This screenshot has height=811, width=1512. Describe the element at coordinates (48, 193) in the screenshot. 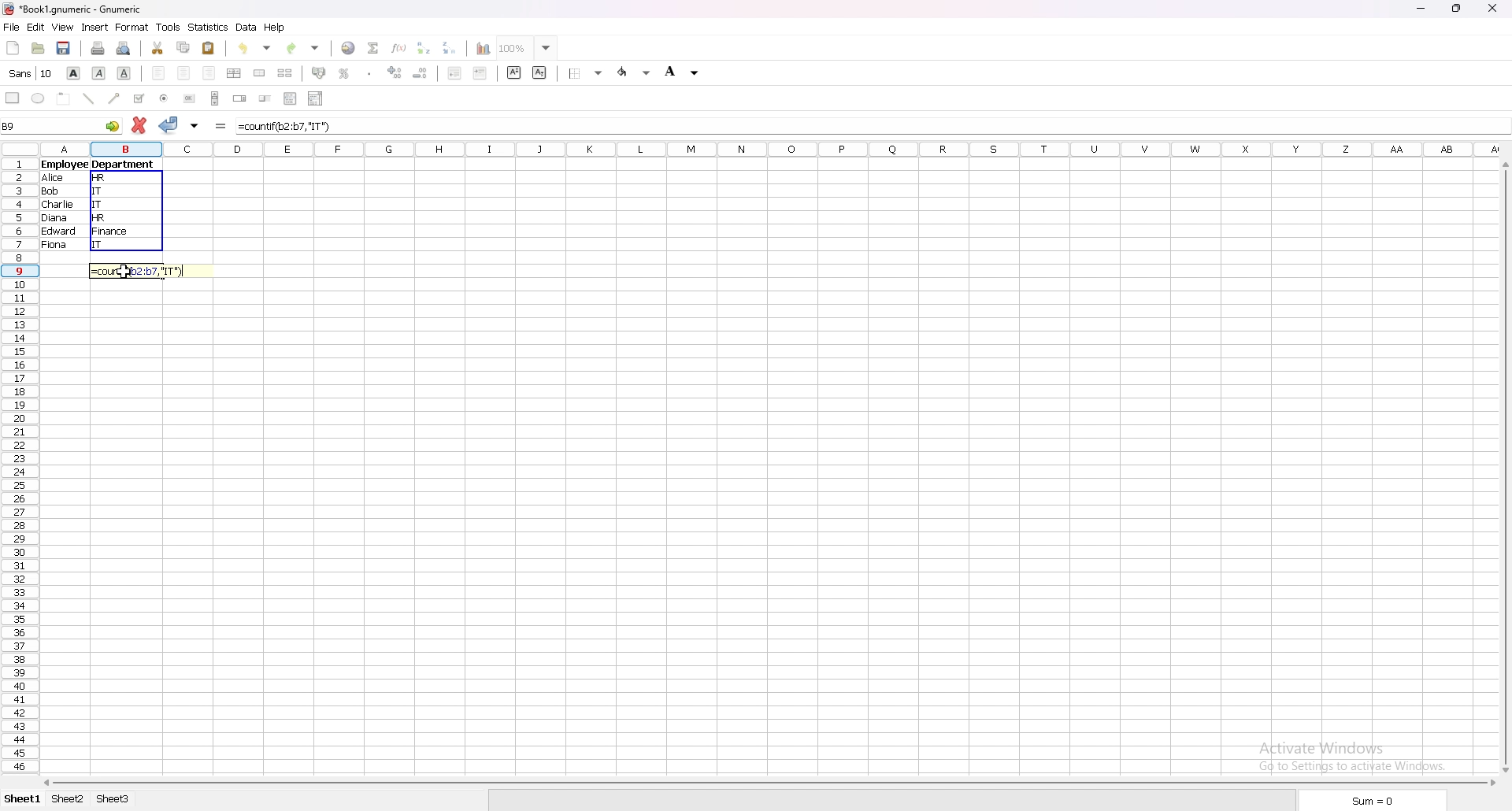

I see `Bob` at that location.